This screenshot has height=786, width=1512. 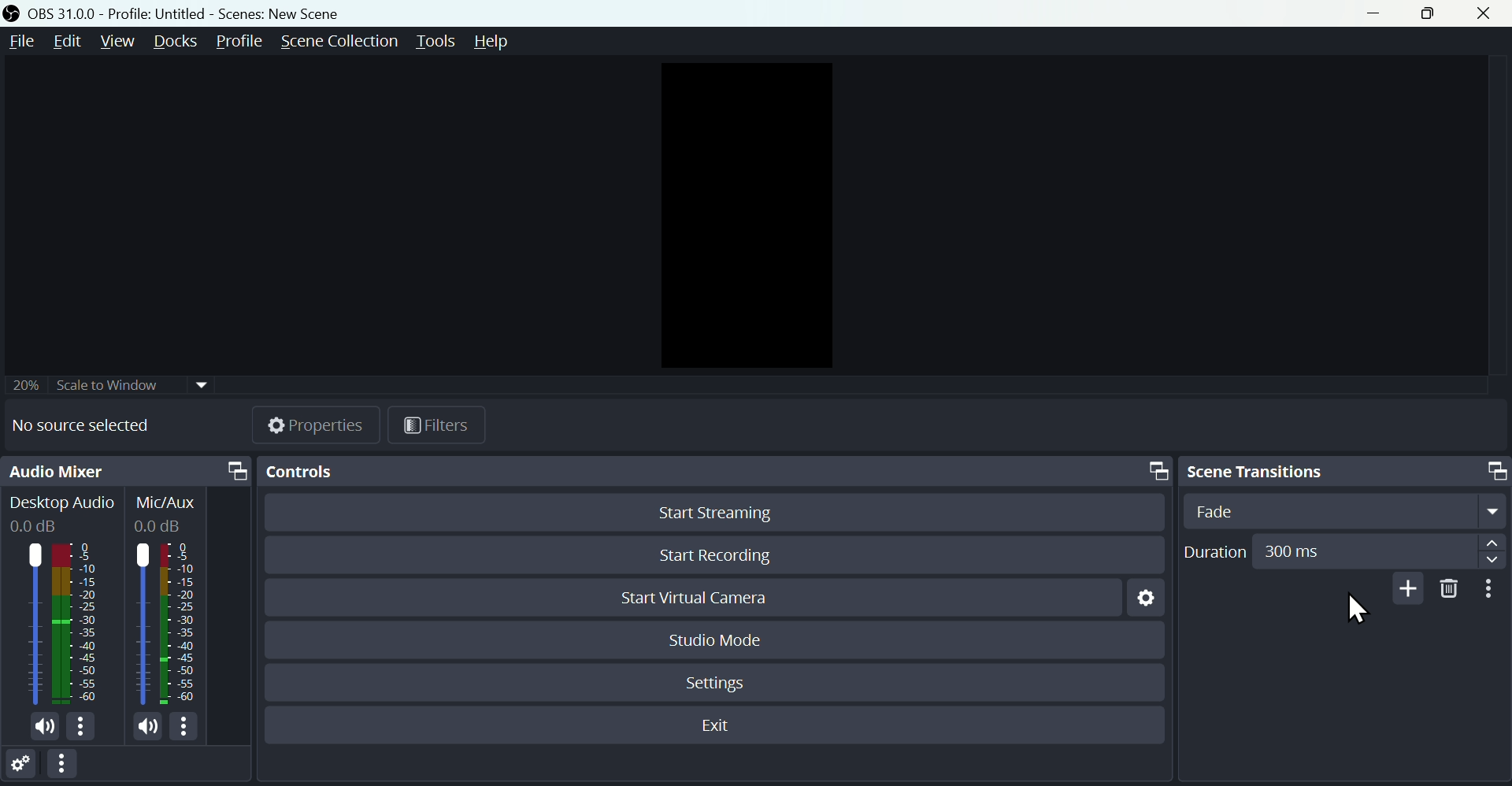 What do you see at coordinates (435, 42) in the screenshot?
I see `Tools` at bounding box center [435, 42].